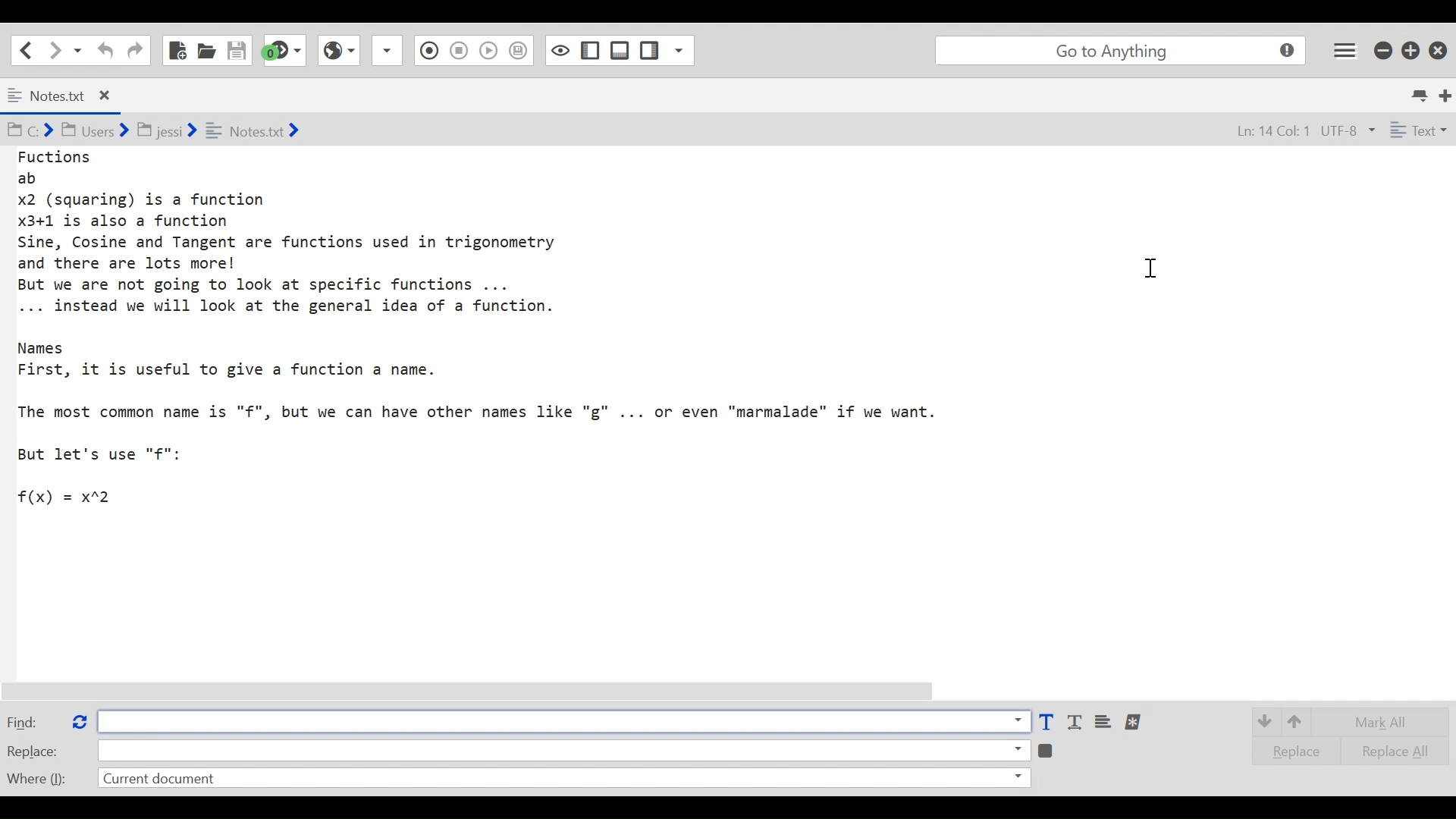  I want to click on Toggle Focus mode, so click(520, 51).